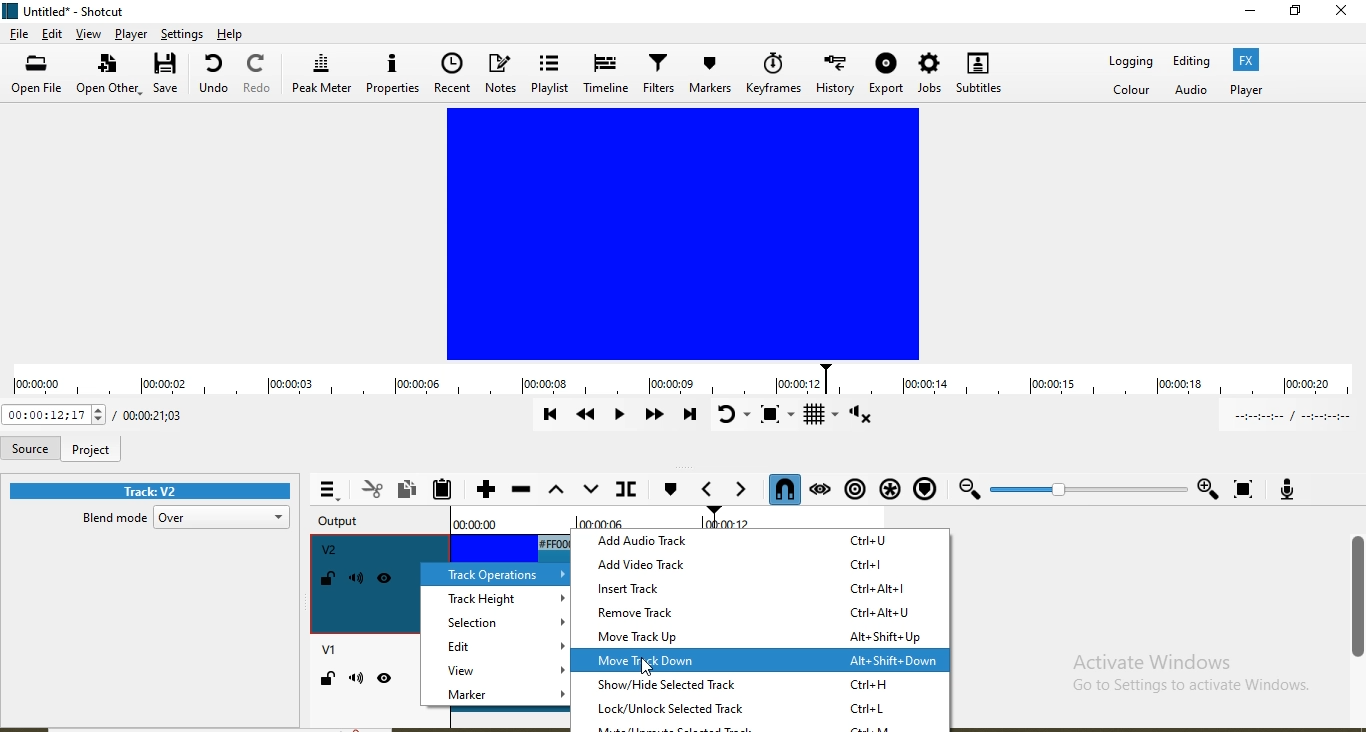 The width and height of the screenshot is (1366, 732). Describe the element at coordinates (606, 76) in the screenshot. I see `Timeline` at that location.